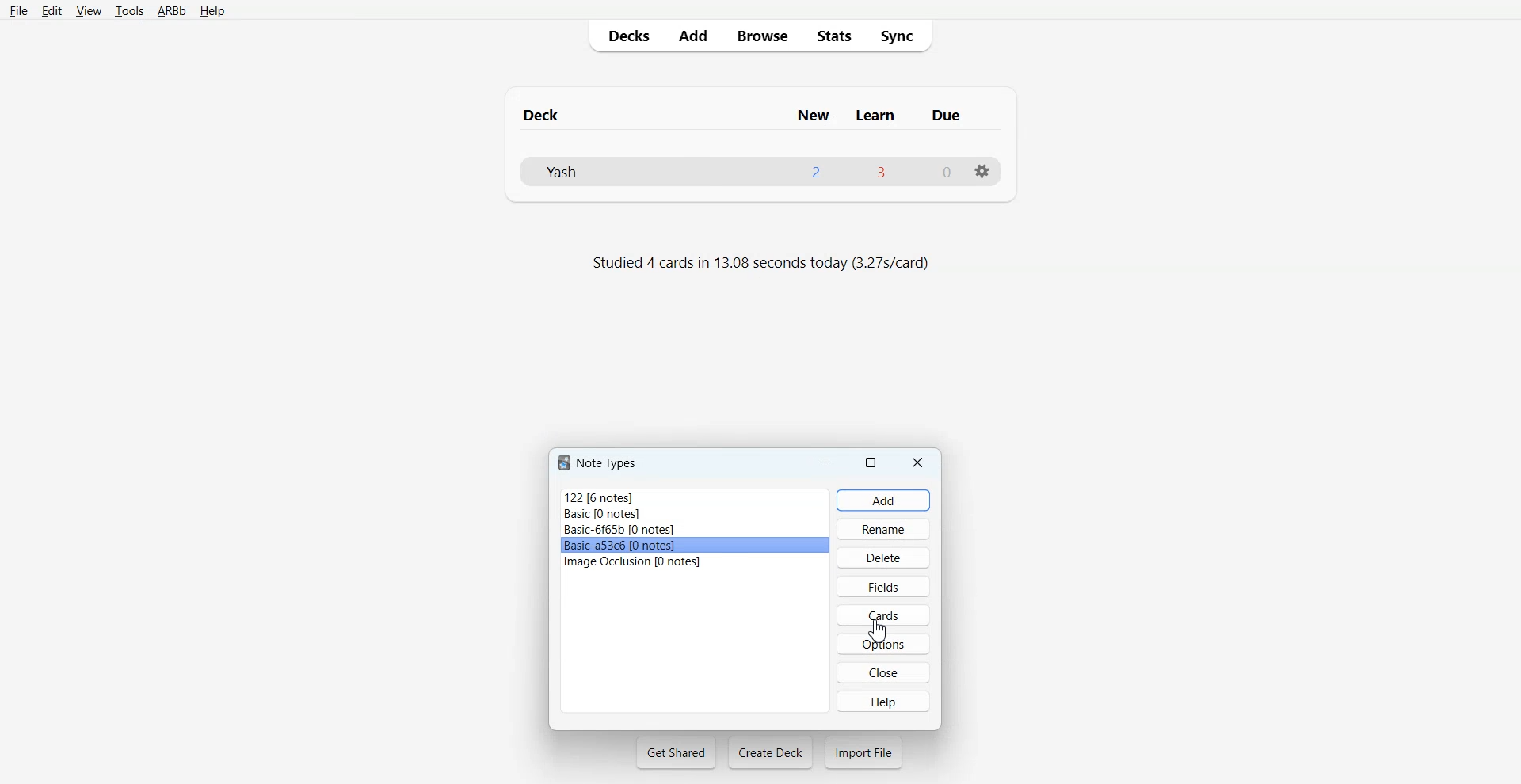  What do you see at coordinates (764, 264) in the screenshot?
I see `Studied 4 cards in 13.08 seconds today (3.27s/card)` at bounding box center [764, 264].